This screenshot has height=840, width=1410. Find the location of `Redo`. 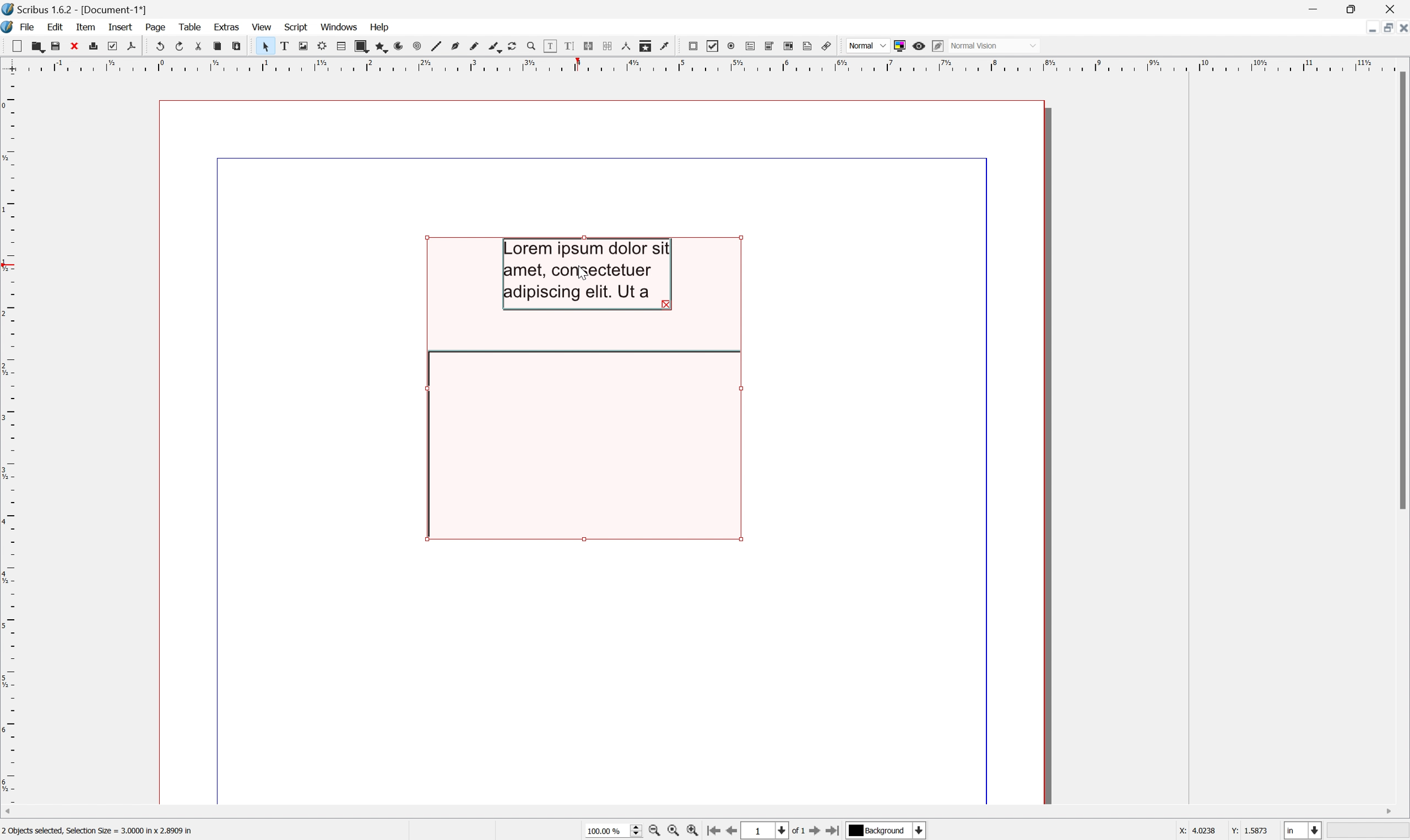

Redo is located at coordinates (179, 46).